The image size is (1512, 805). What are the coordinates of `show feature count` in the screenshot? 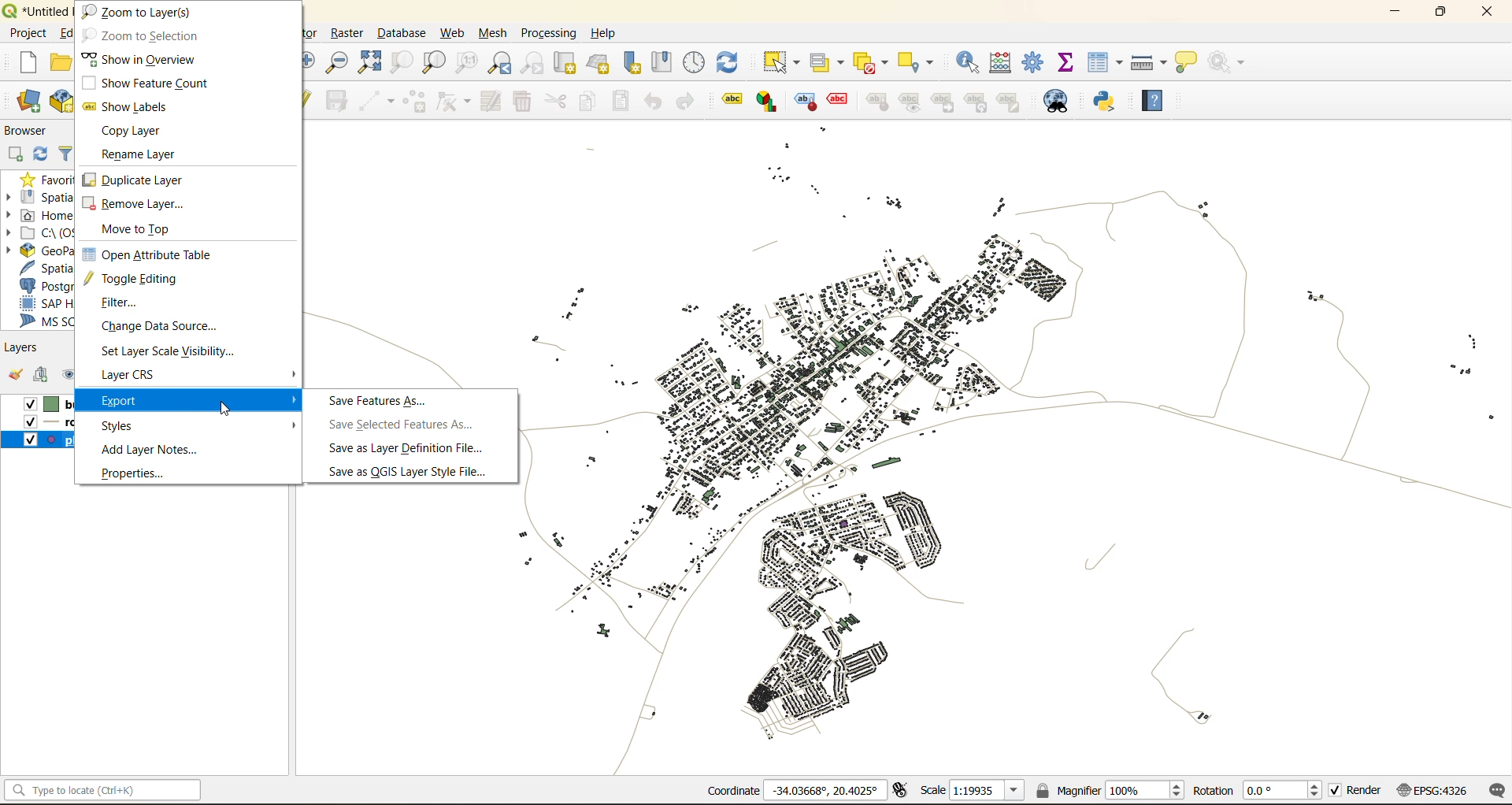 It's located at (143, 82).